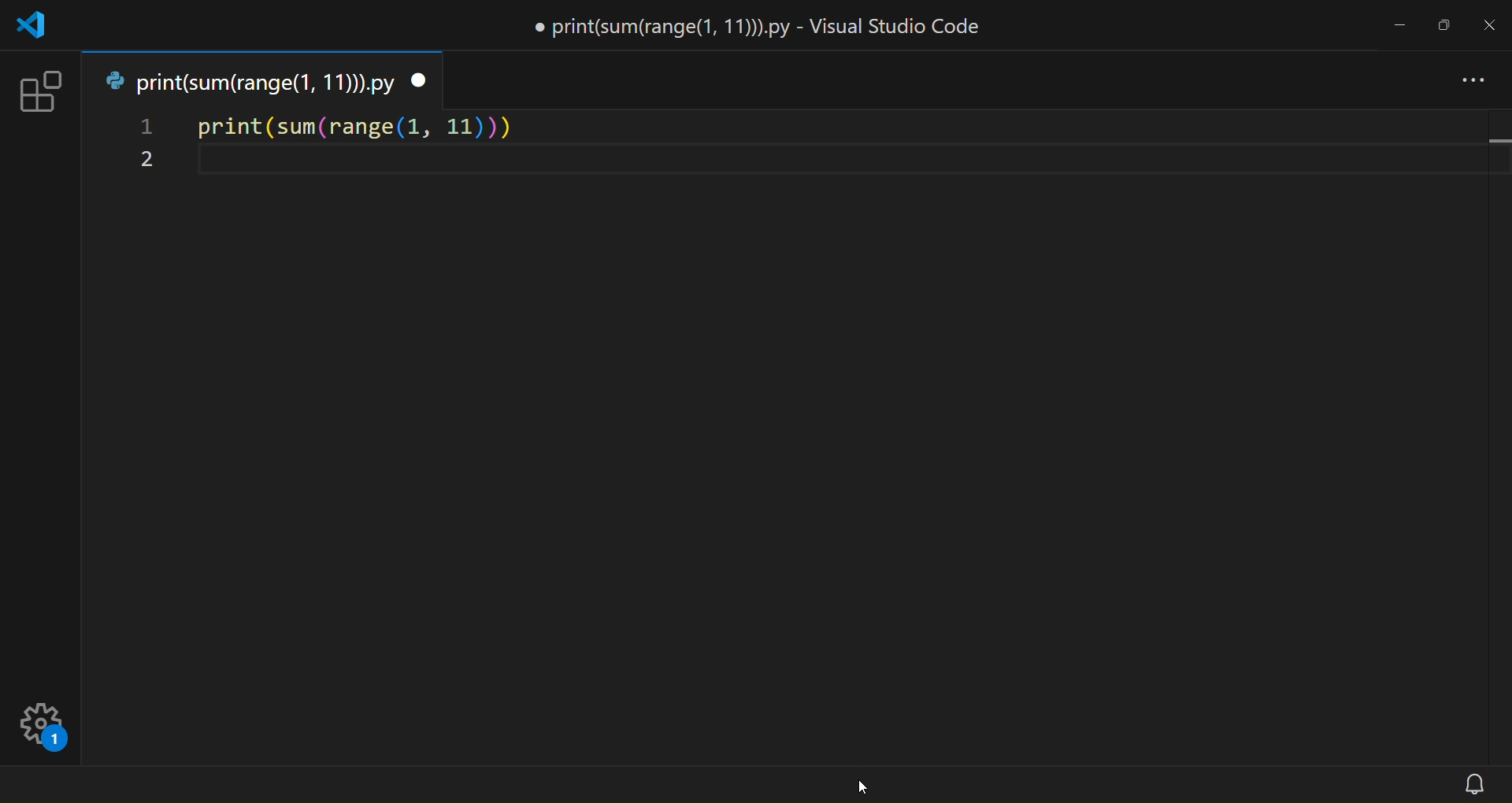 This screenshot has width=1512, height=803. Describe the element at coordinates (1475, 784) in the screenshot. I see `notifications` at that location.